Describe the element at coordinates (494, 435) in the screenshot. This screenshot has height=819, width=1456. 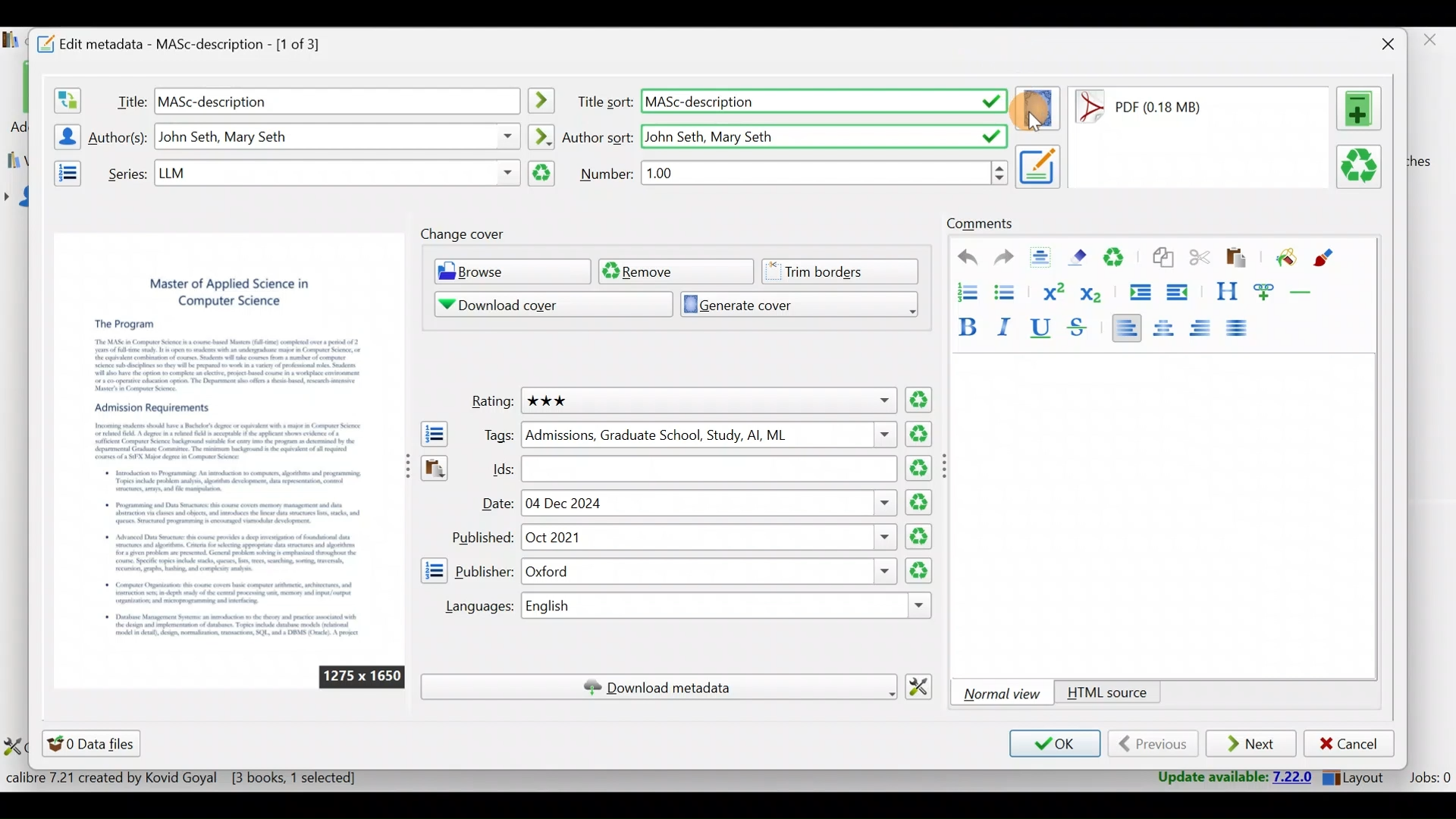
I see `Tags` at that location.